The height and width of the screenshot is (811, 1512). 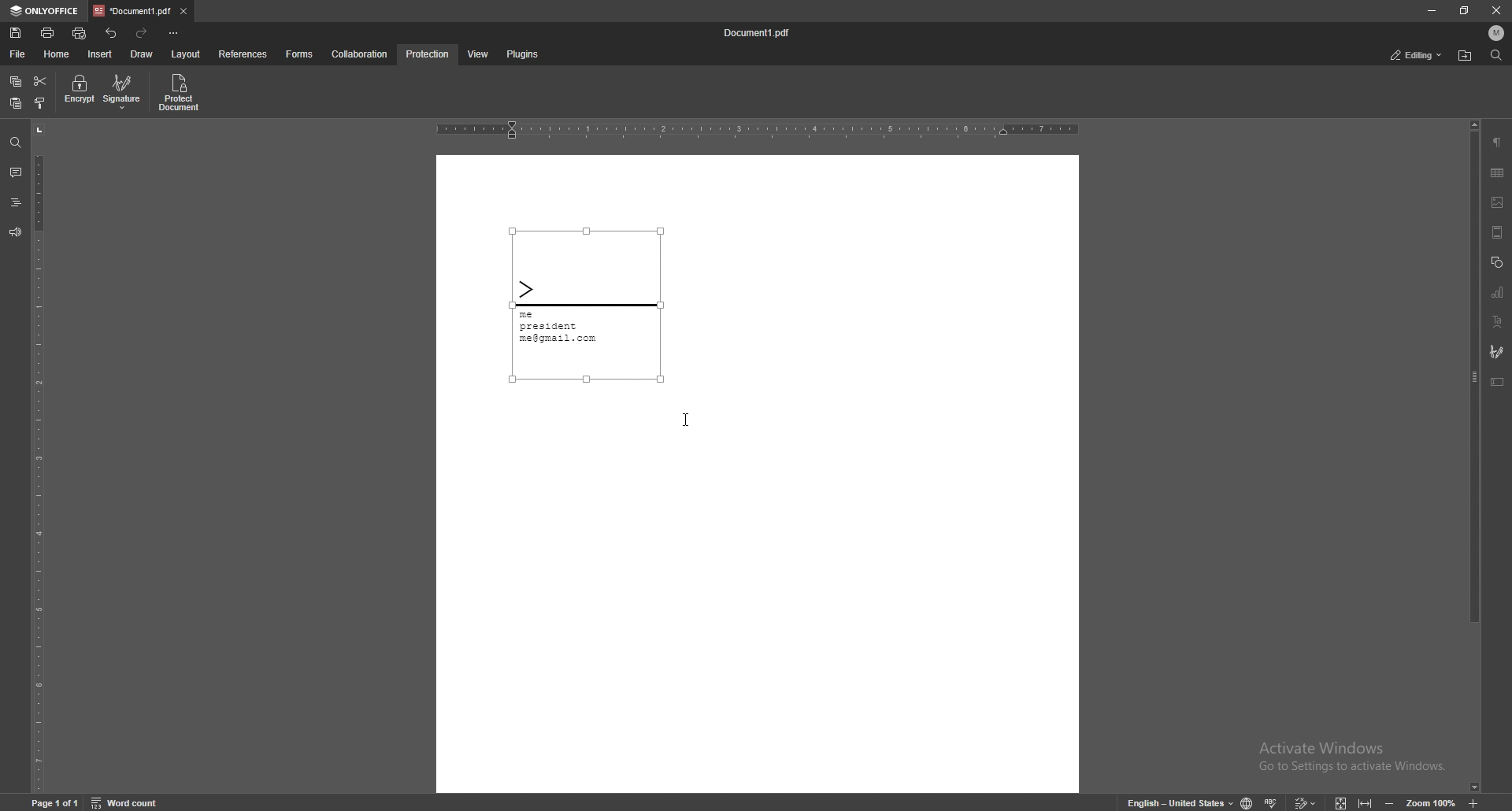 What do you see at coordinates (1497, 12) in the screenshot?
I see `close` at bounding box center [1497, 12].